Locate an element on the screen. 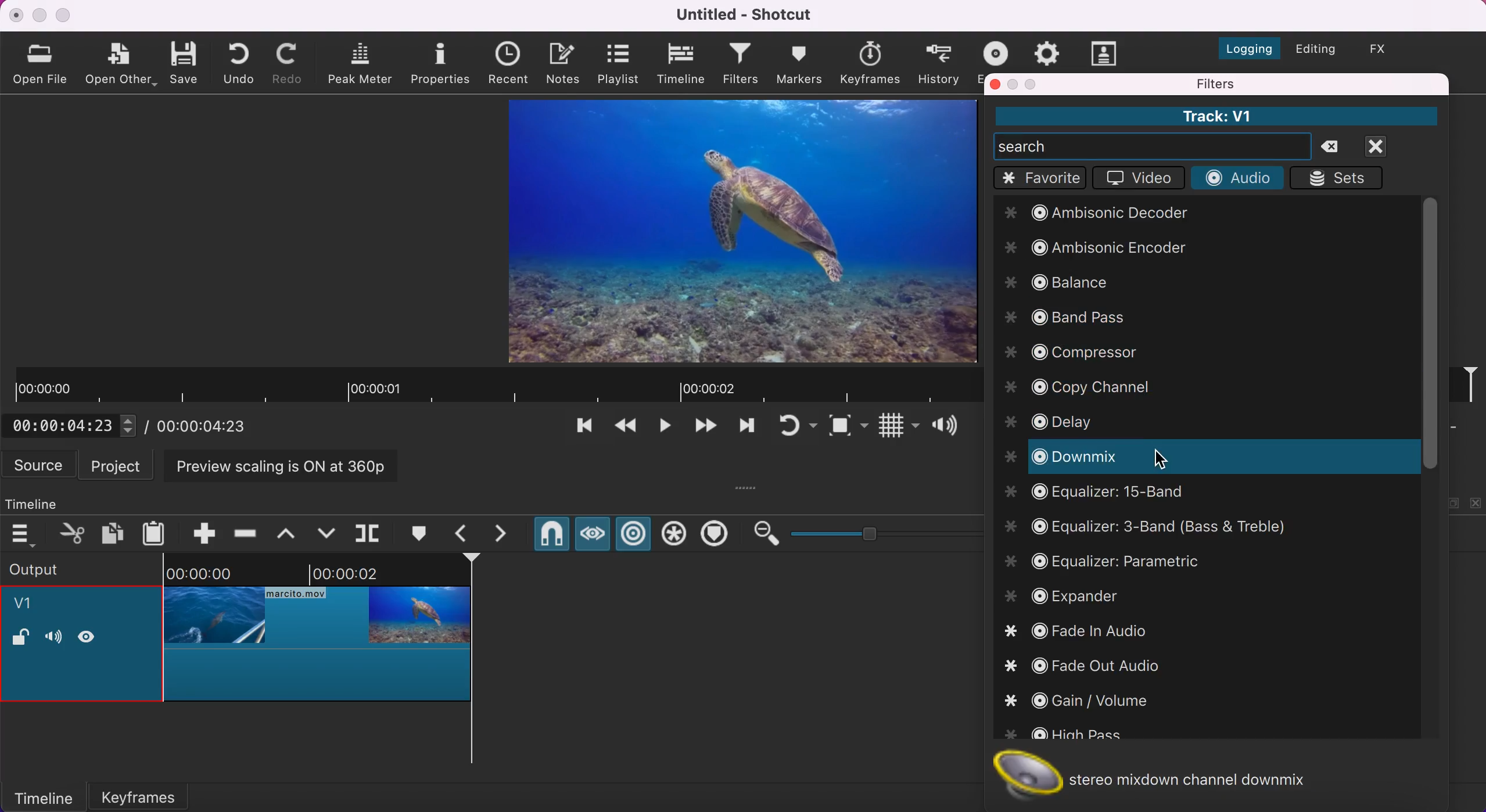 The image size is (1486, 812). skip to the next point is located at coordinates (704, 429).